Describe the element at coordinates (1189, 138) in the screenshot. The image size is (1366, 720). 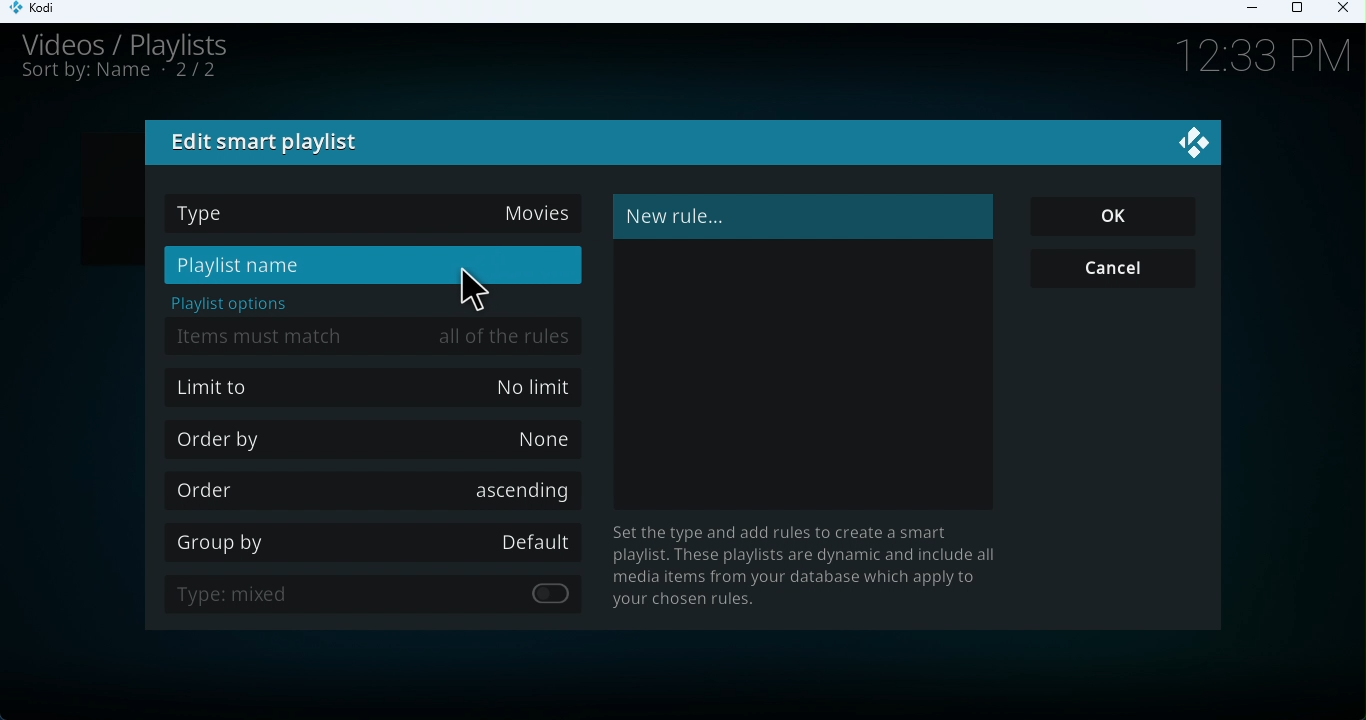
I see `logo` at that location.